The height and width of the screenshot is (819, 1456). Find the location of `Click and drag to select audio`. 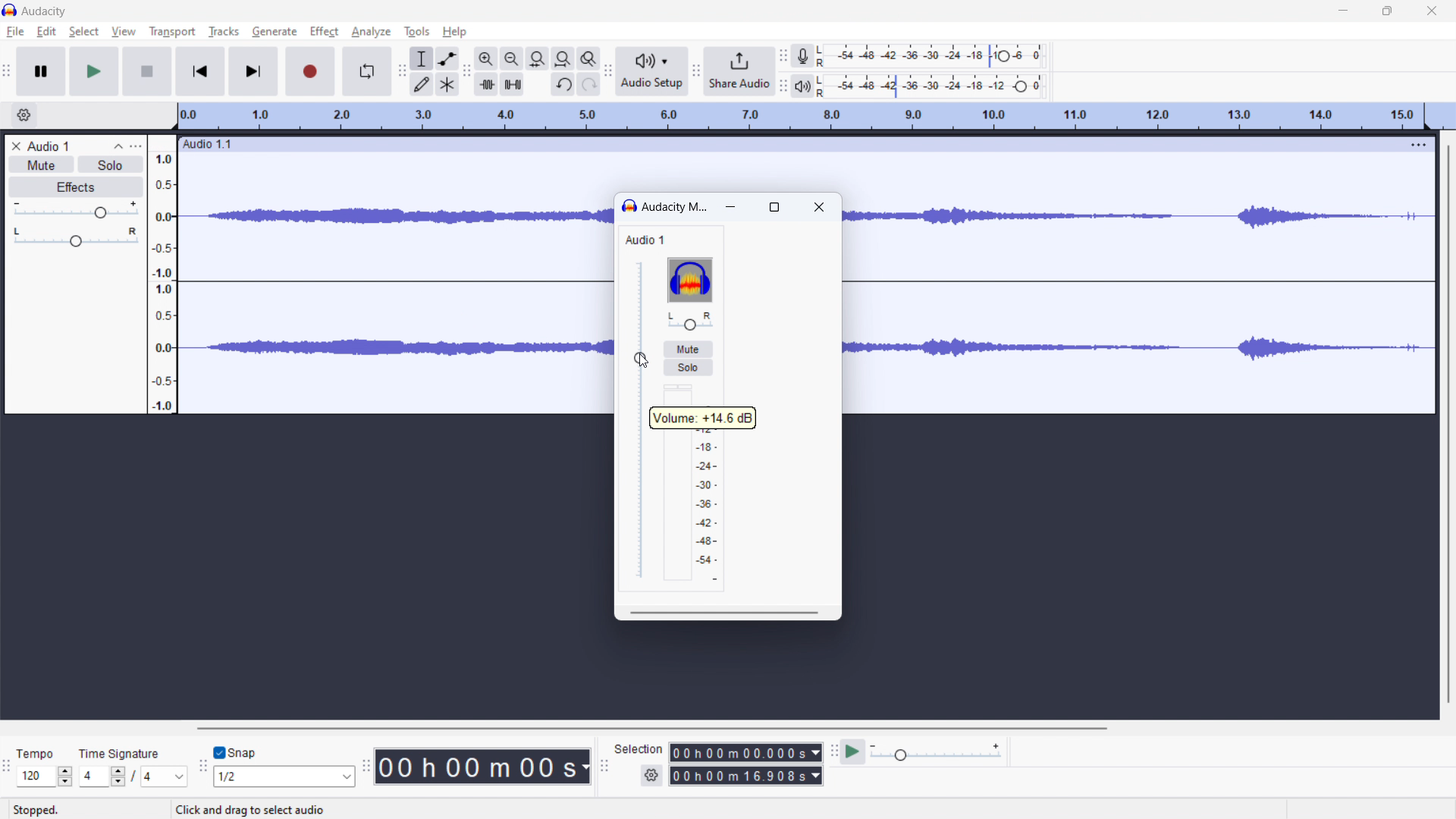

Click and drag to select audio is located at coordinates (265, 810).